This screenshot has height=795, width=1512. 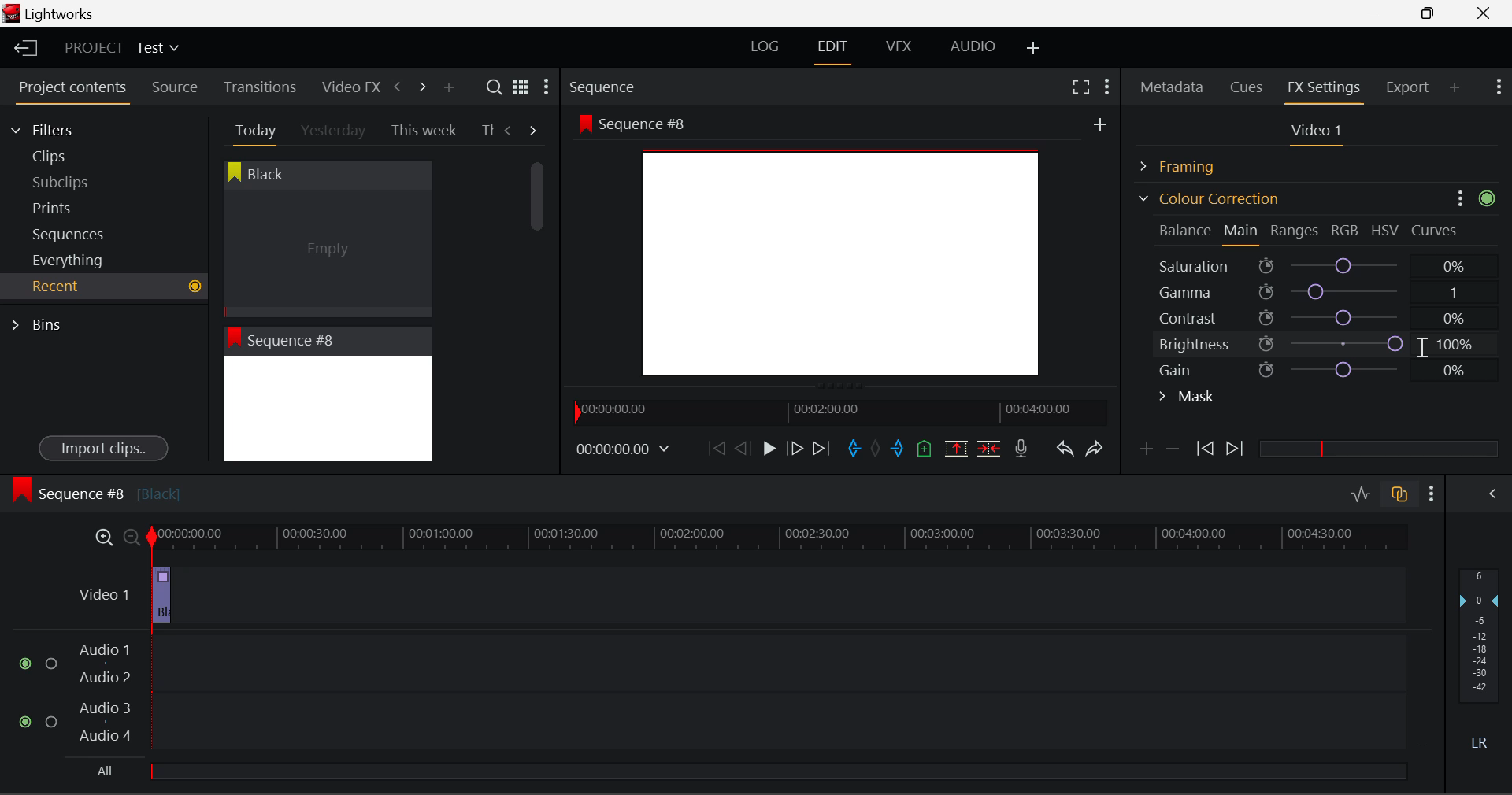 What do you see at coordinates (521, 87) in the screenshot?
I see `Toggle list and title view` at bounding box center [521, 87].